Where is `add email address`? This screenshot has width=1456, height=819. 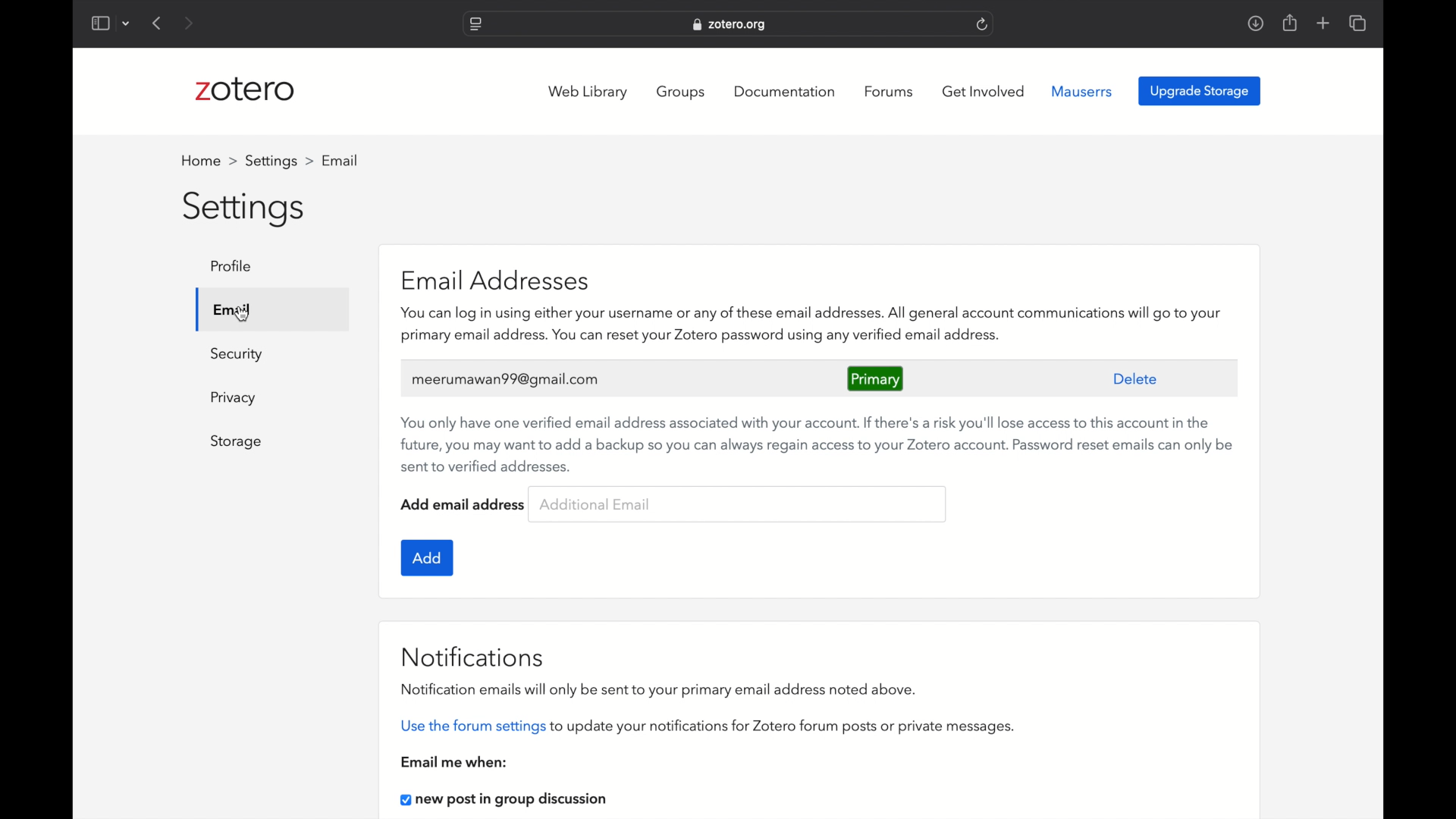 add email address is located at coordinates (464, 506).